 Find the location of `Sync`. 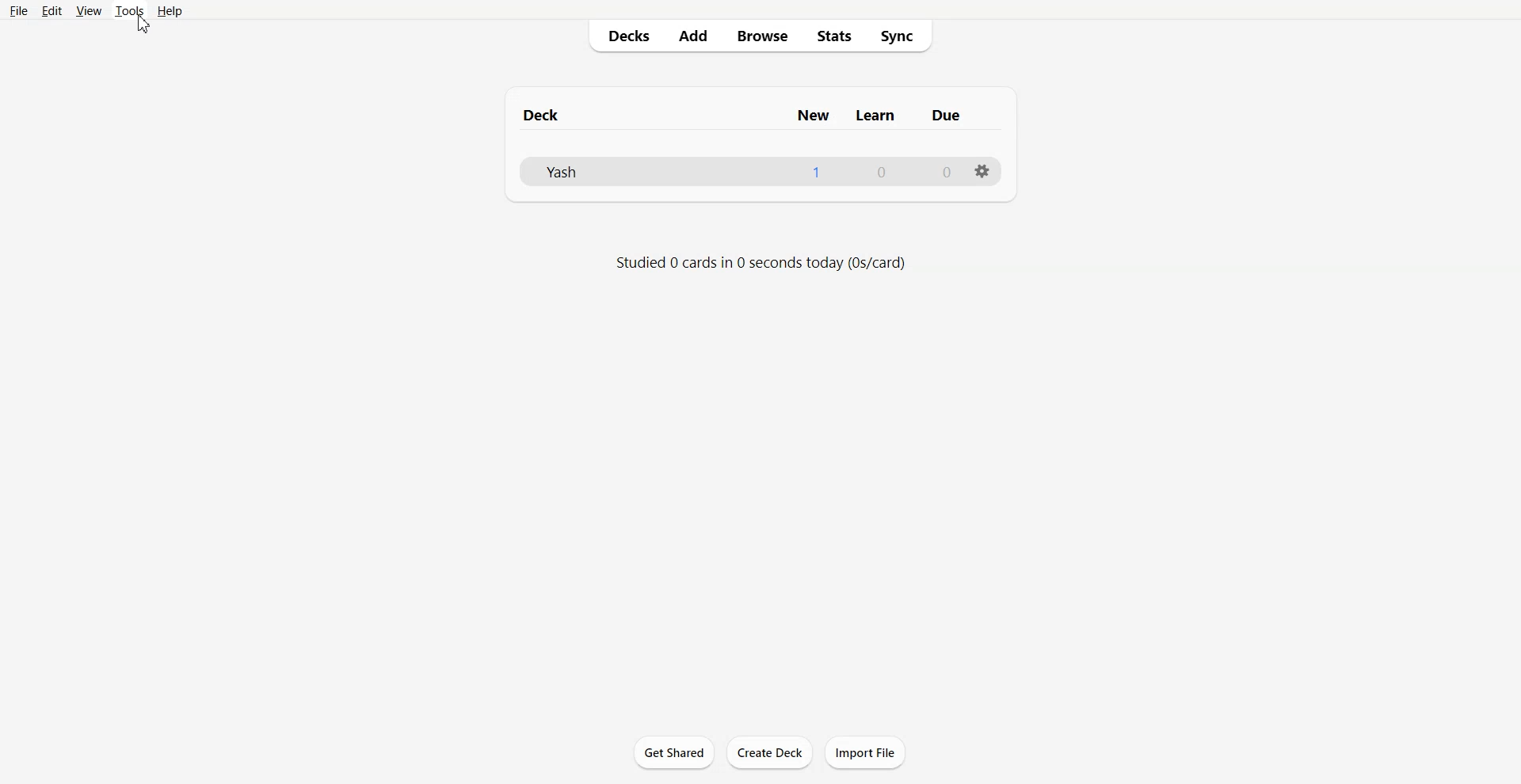

Sync is located at coordinates (905, 36).